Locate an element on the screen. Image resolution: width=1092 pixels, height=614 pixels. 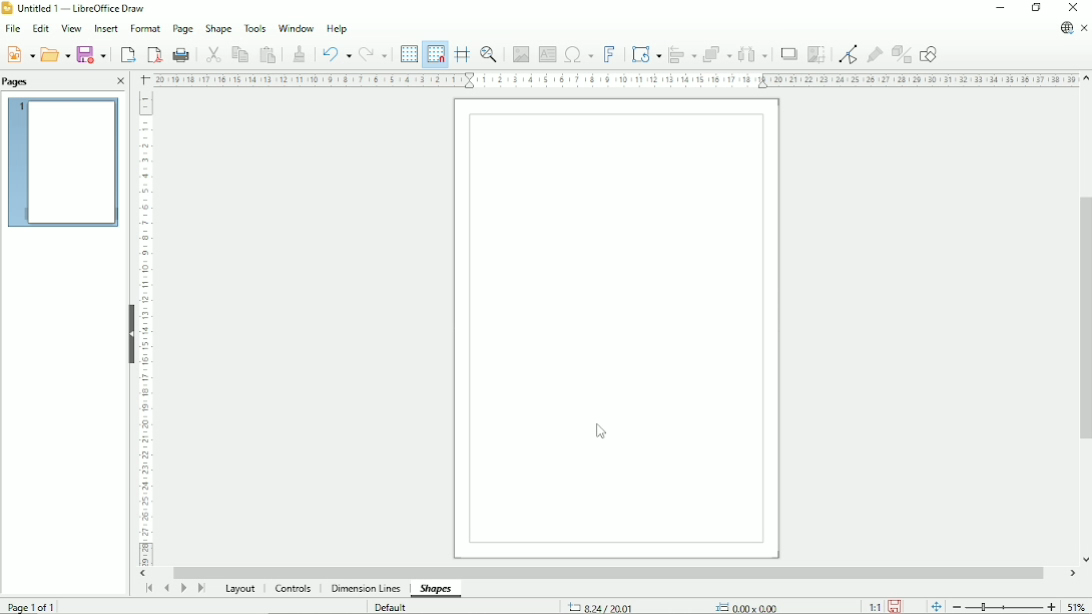
Default is located at coordinates (392, 606).